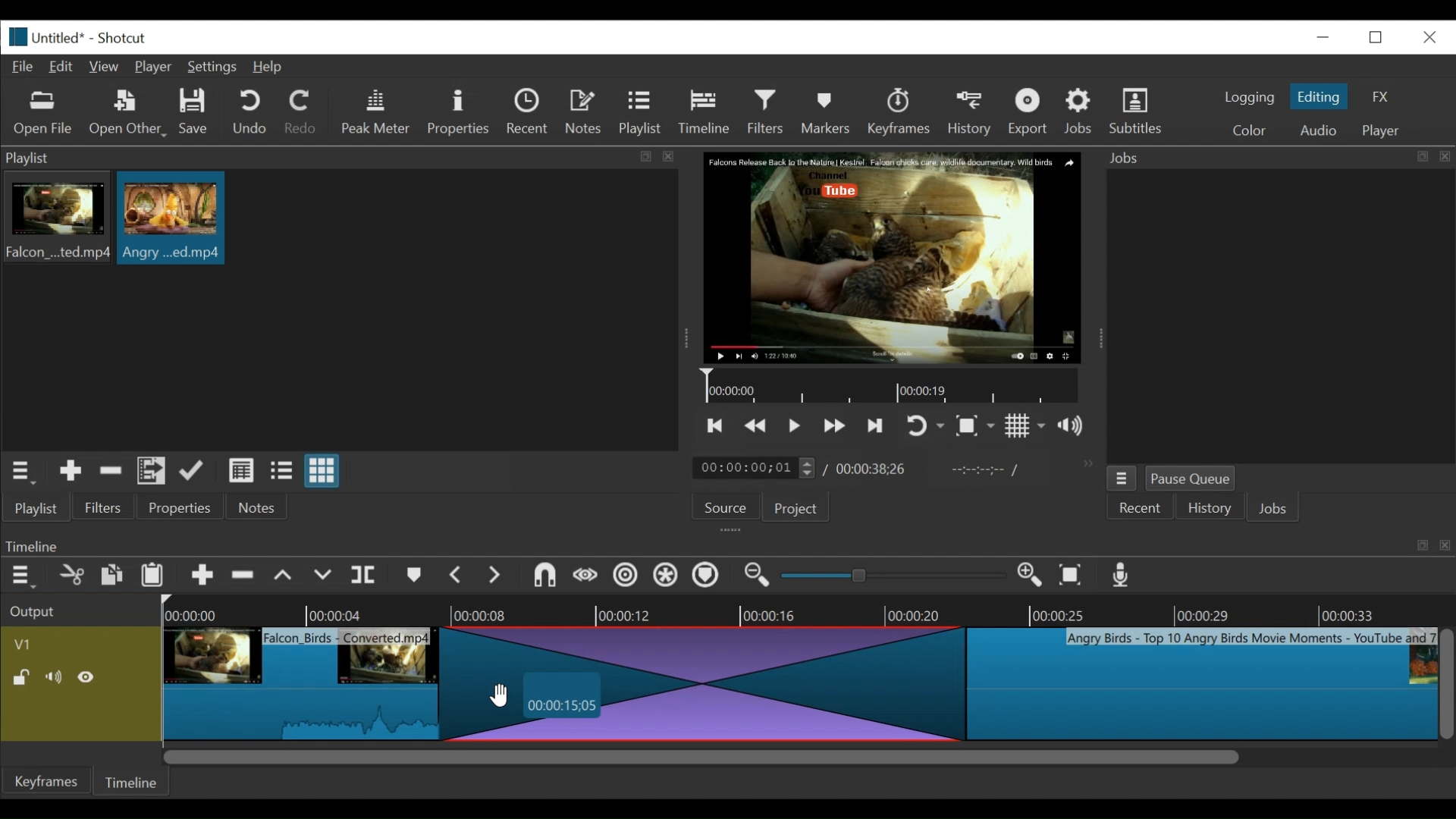 Image resolution: width=1456 pixels, height=819 pixels. What do you see at coordinates (43, 114) in the screenshot?
I see `Open file` at bounding box center [43, 114].